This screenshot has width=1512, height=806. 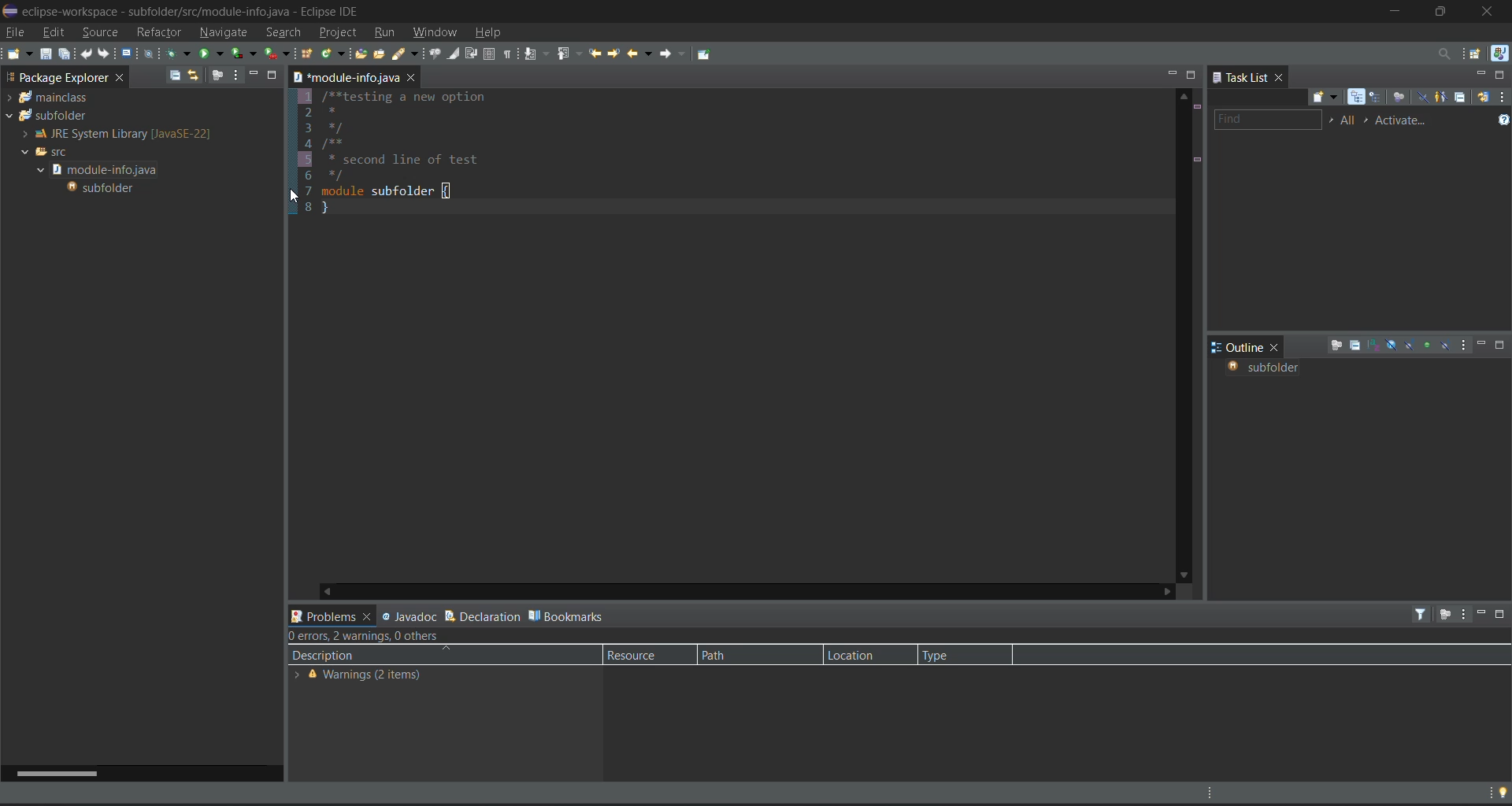 What do you see at coordinates (1331, 120) in the screenshot?
I see `select working set` at bounding box center [1331, 120].